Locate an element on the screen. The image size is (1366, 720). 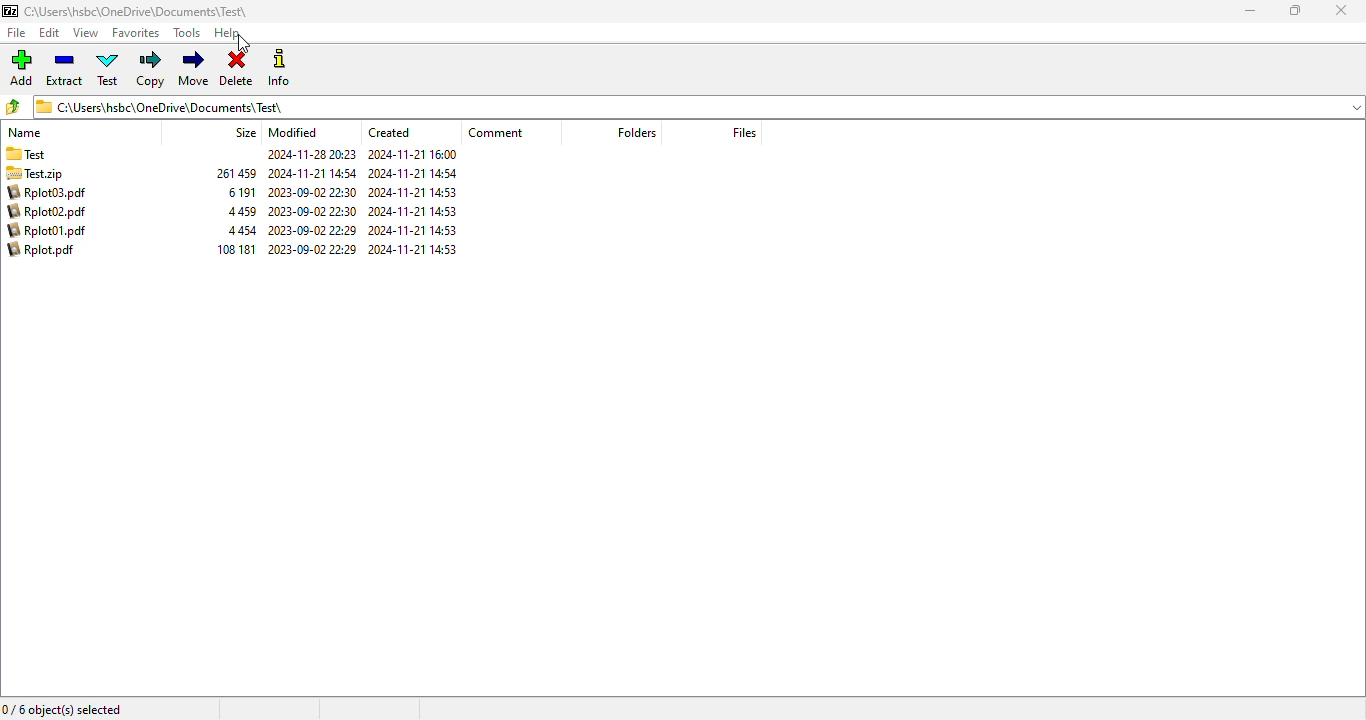
2024-11-21 14:53 is located at coordinates (417, 193).